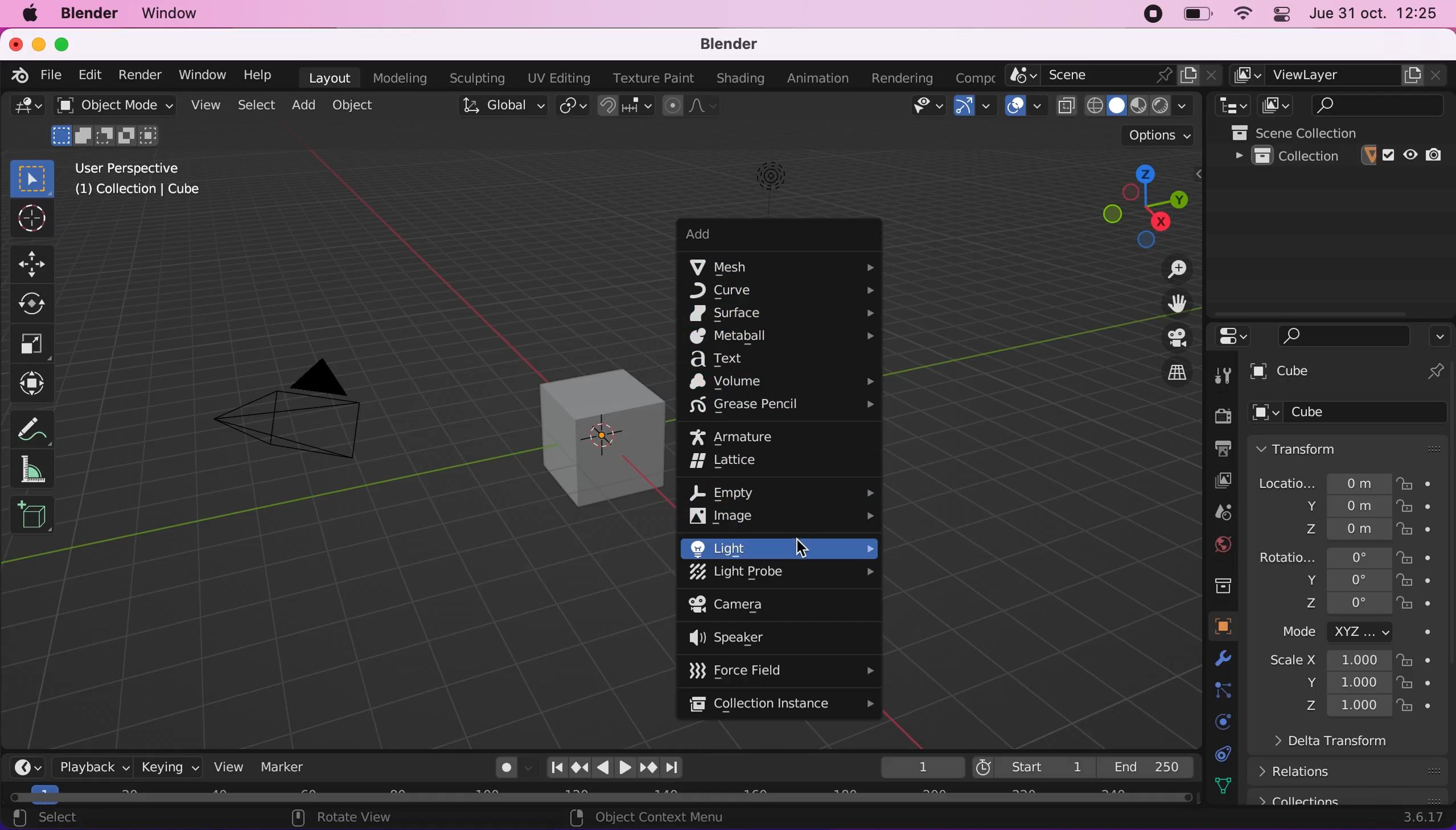  What do you see at coordinates (35, 302) in the screenshot?
I see `rotate` at bounding box center [35, 302].